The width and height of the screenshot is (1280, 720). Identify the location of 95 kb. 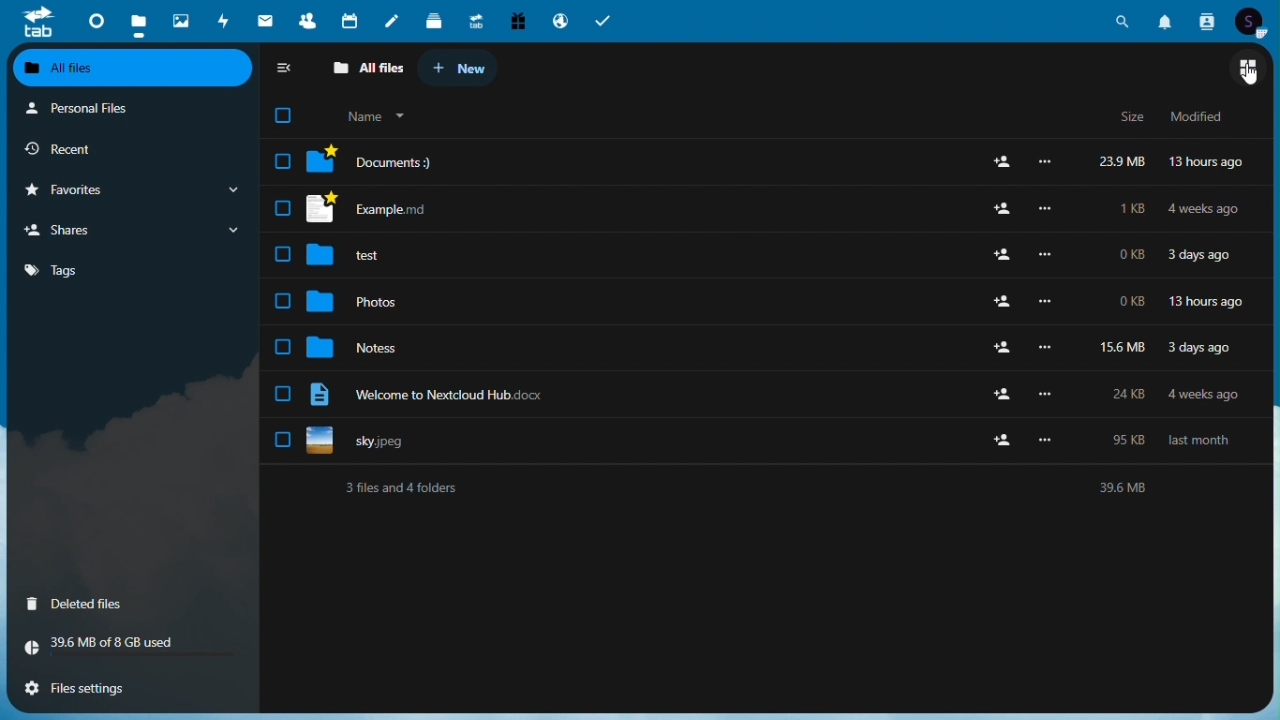
(1128, 441).